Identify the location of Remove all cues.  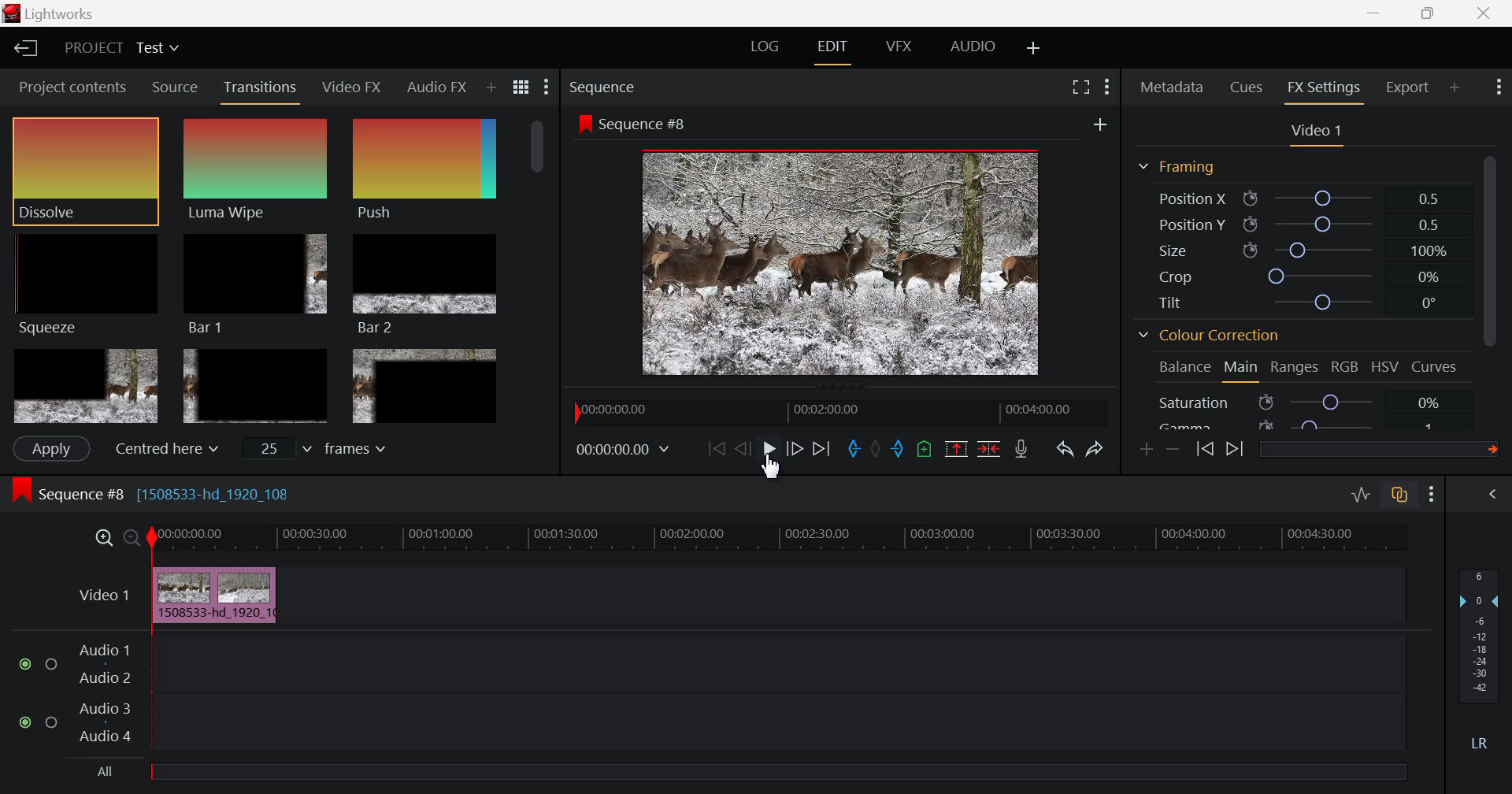
(922, 448).